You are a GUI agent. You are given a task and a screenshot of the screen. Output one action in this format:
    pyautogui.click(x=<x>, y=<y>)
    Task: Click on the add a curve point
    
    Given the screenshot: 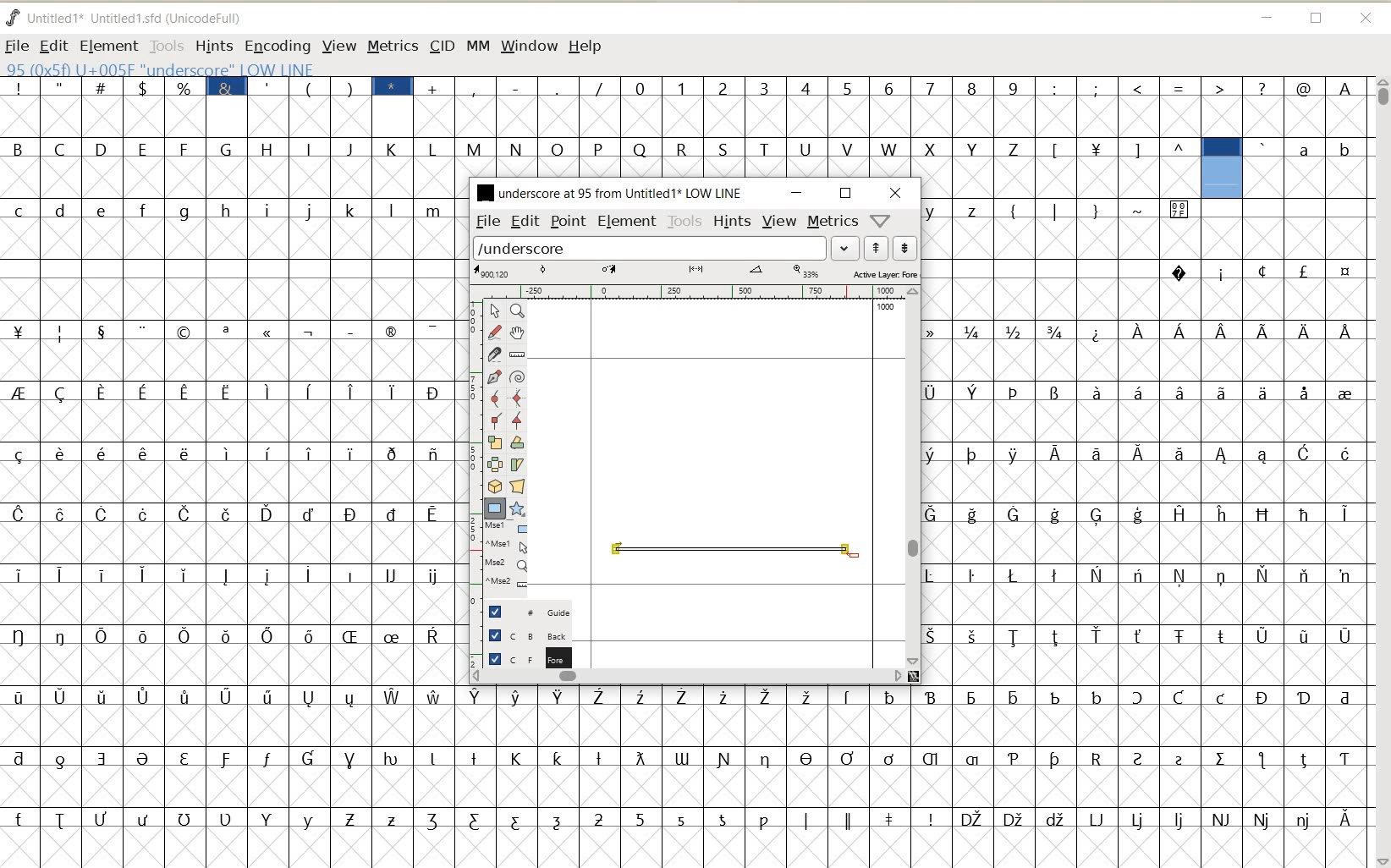 What is the action you would take?
    pyautogui.click(x=494, y=398)
    